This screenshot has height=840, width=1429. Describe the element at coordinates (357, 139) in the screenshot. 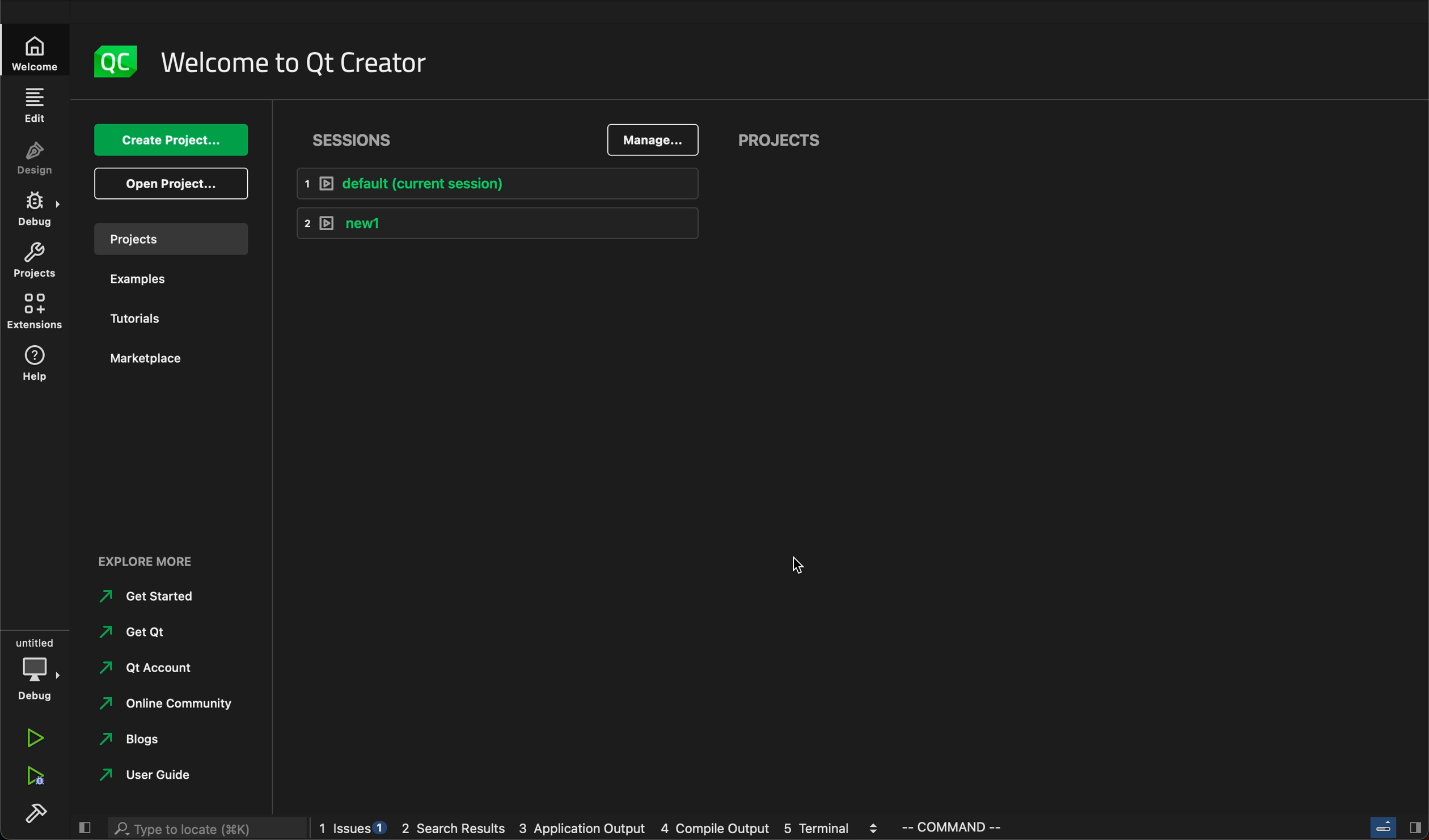

I see `sessions` at that location.